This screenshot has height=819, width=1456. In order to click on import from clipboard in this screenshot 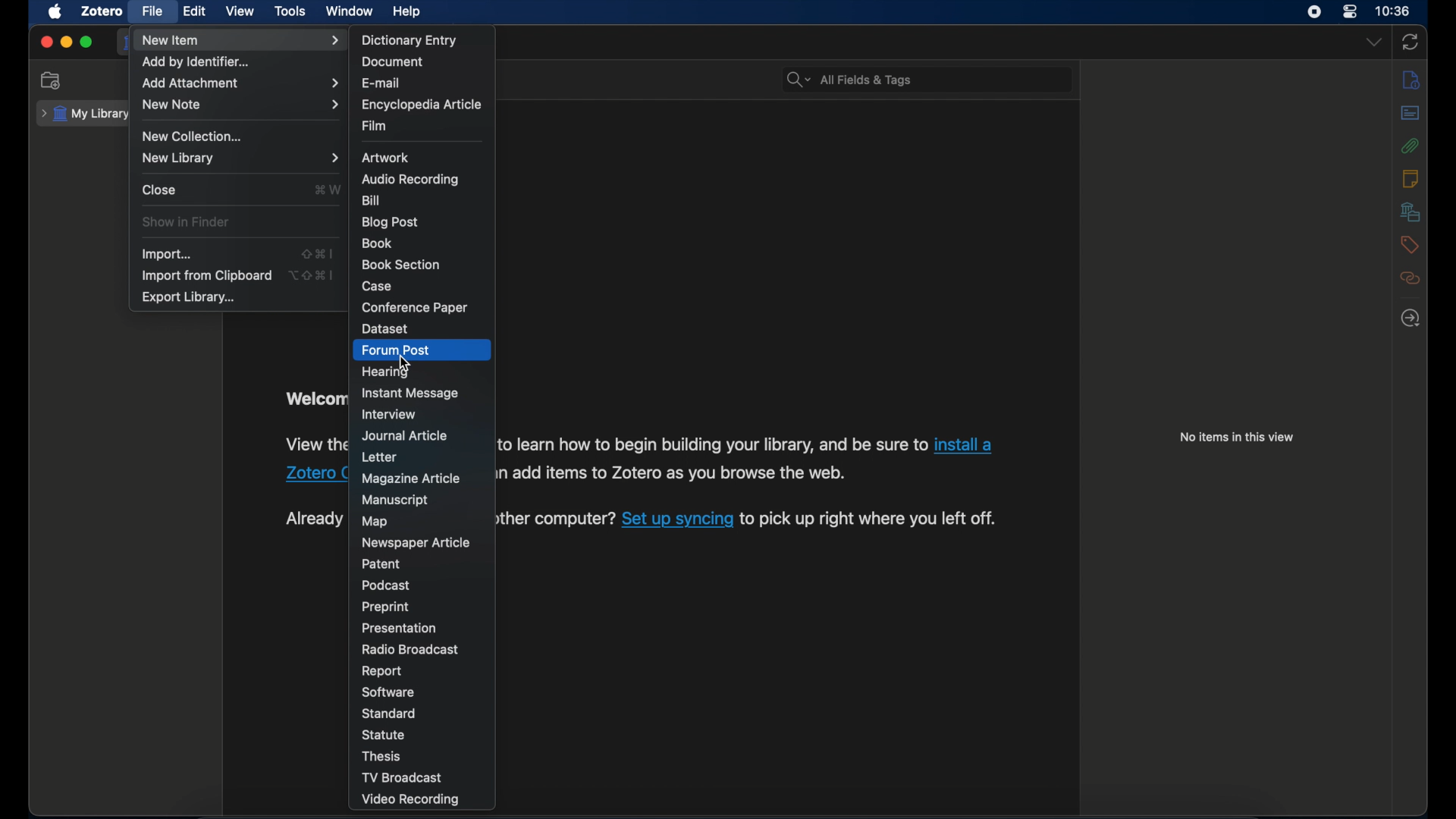, I will do `click(206, 276)`.